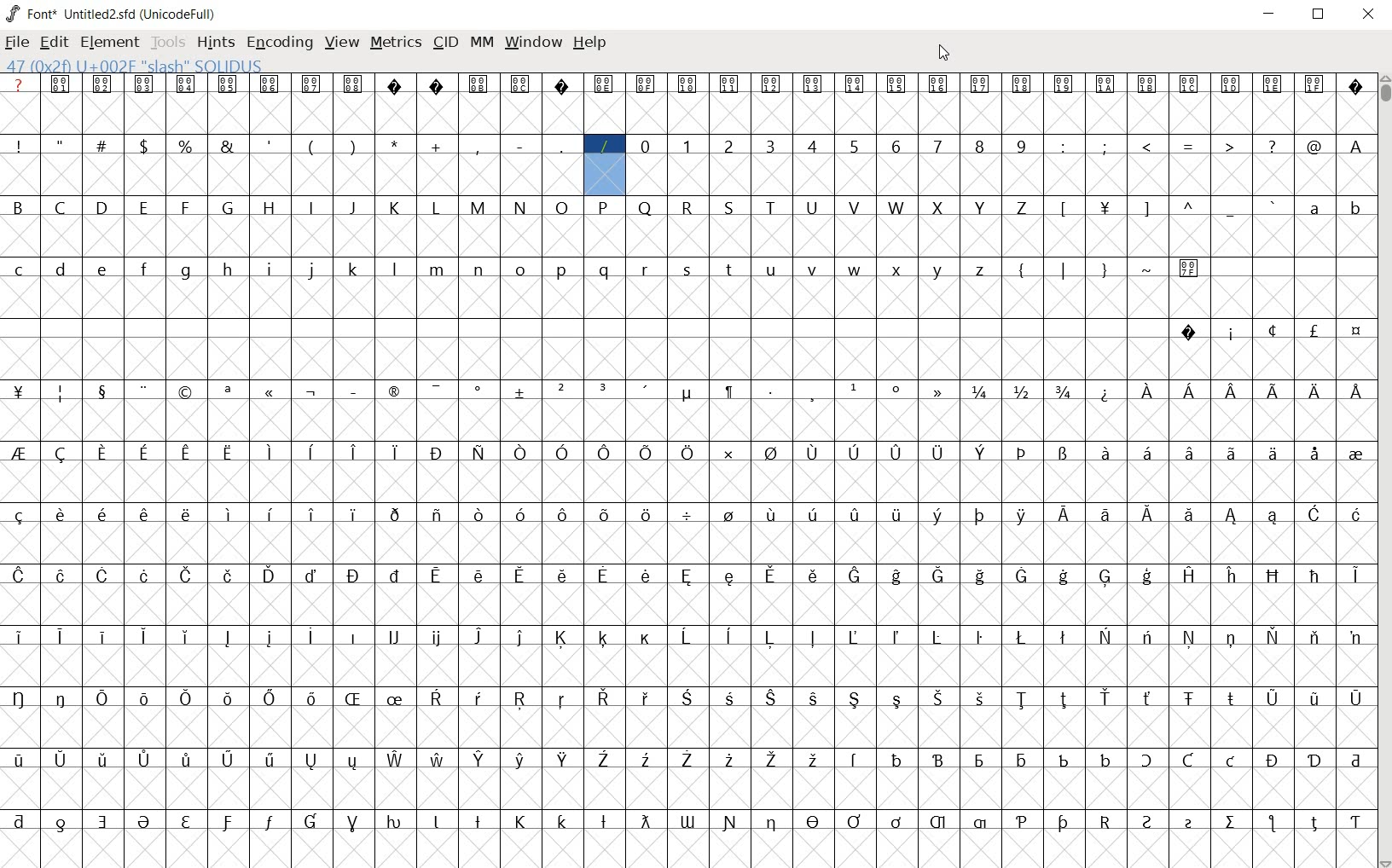  Describe the element at coordinates (1021, 576) in the screenshot. I see `glyph` at that location.